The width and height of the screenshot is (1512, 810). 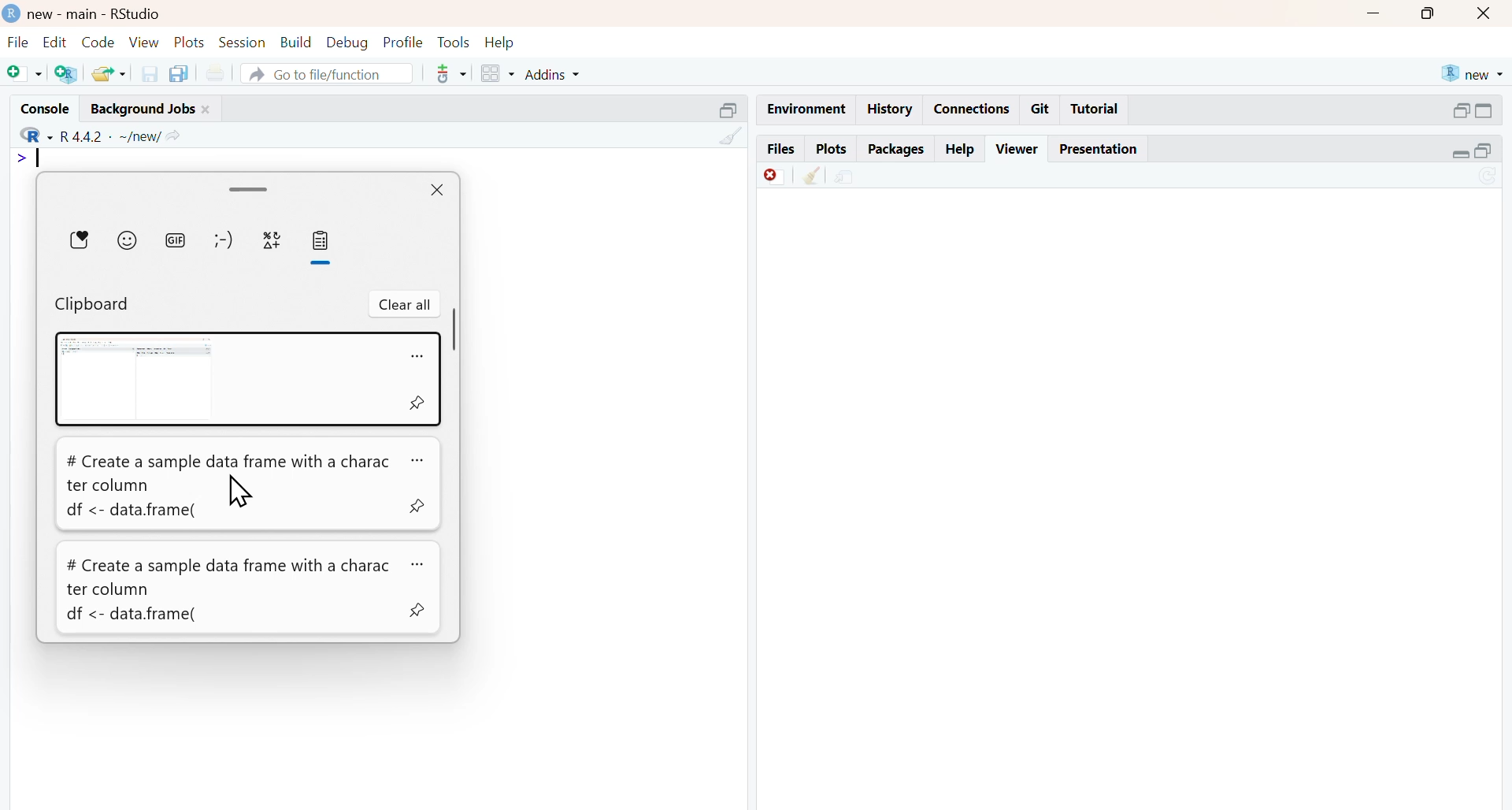 I want to click on console, so click(x=46, y=110).